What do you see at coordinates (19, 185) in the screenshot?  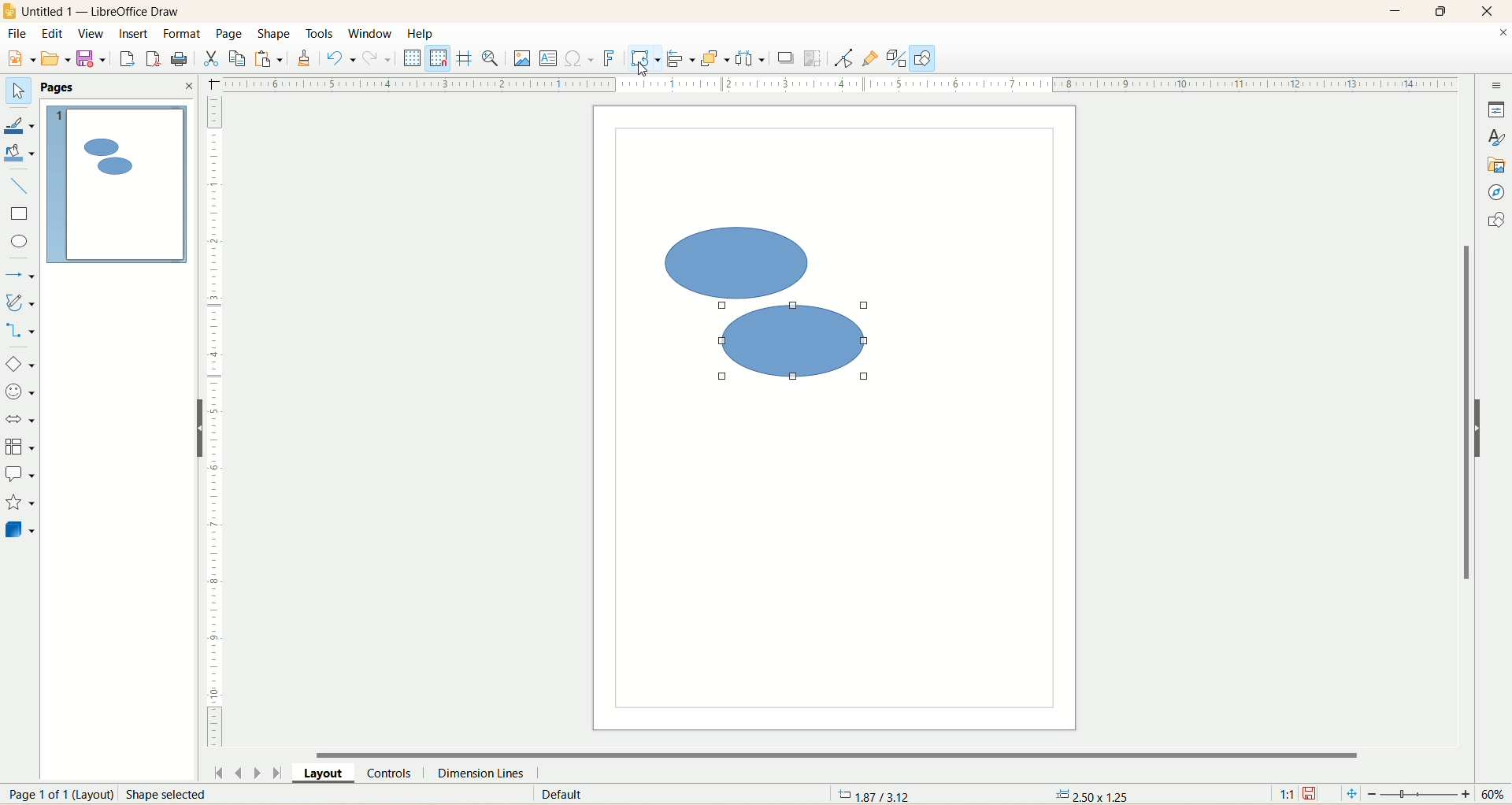 I see `insert line` at bounding box center [19, 185].